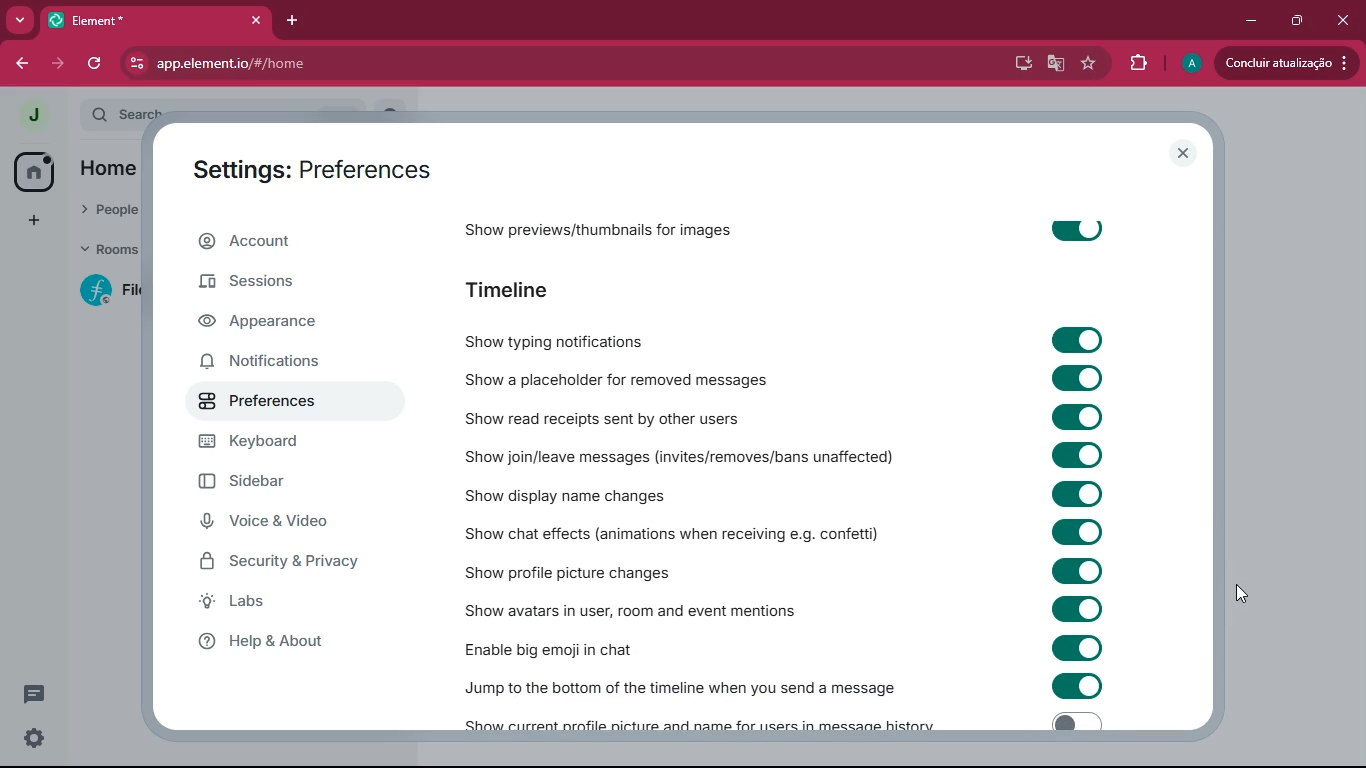  Describe the element at coordinates (1073, 340) in the screenshot. I see `toggle on ` at that location.